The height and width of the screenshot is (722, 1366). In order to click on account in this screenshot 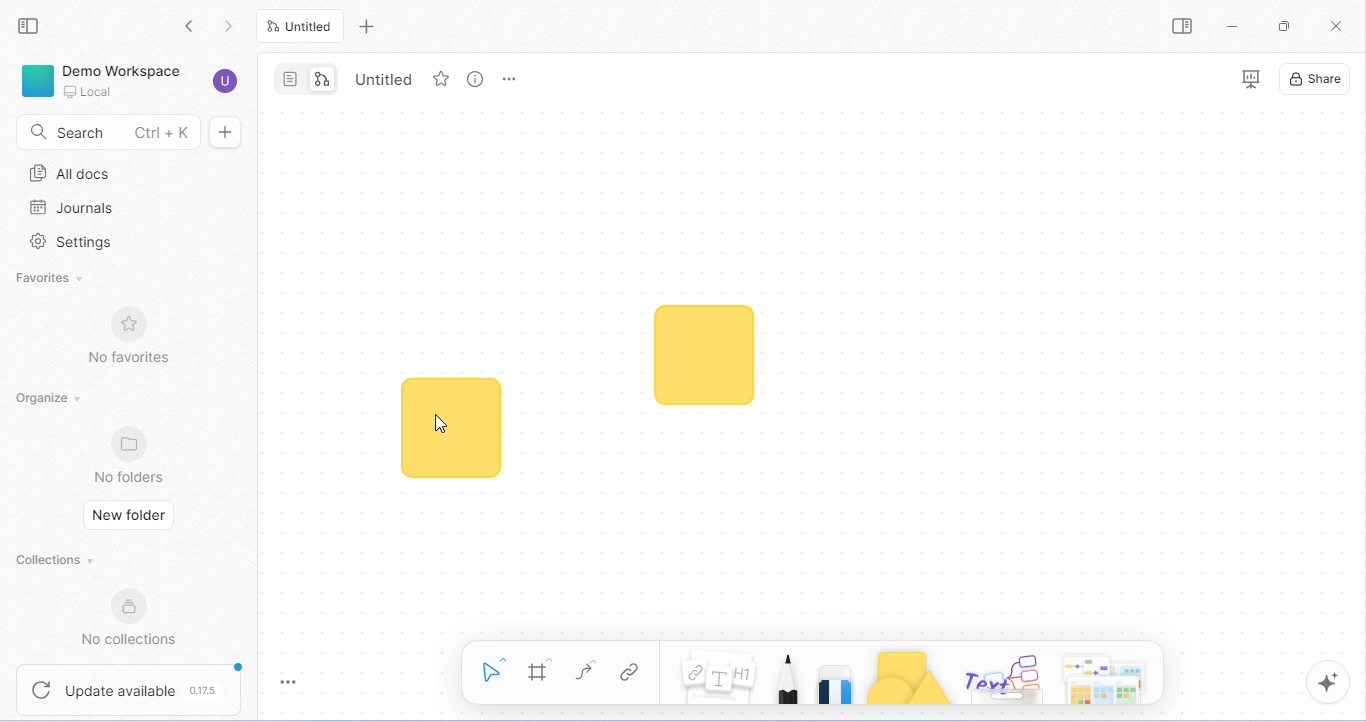, I will do `click(226, 83)`.